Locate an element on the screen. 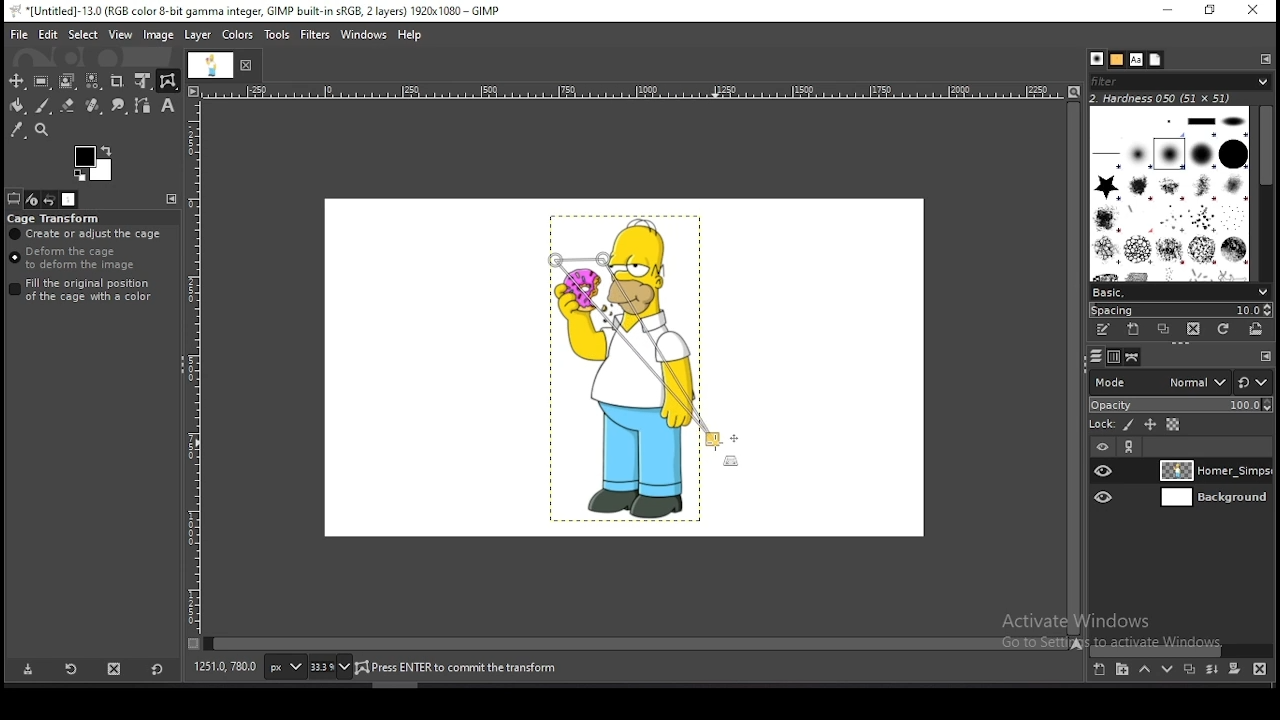 This screenshot has width=1280, height=720. layer visibility on/off is located at coordinates (1105, 471).